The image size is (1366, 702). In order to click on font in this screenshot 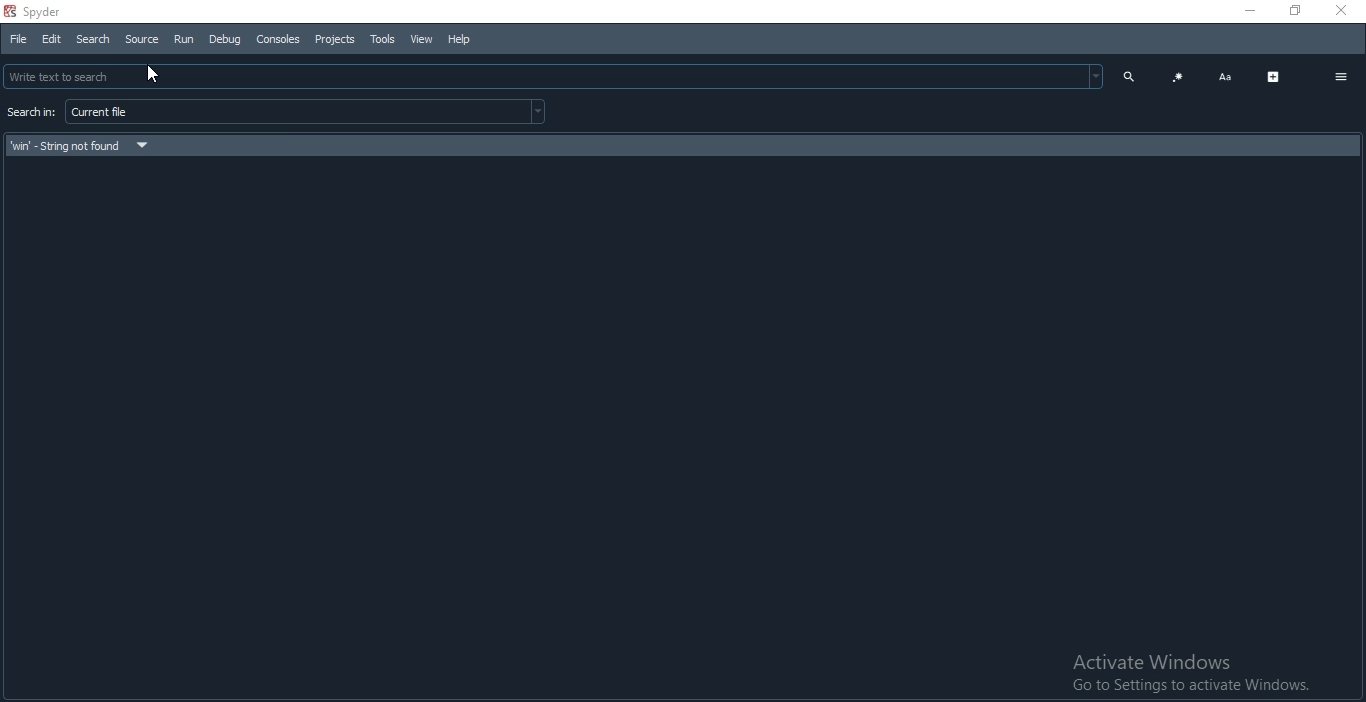, I will do `click(1224, 77)`.